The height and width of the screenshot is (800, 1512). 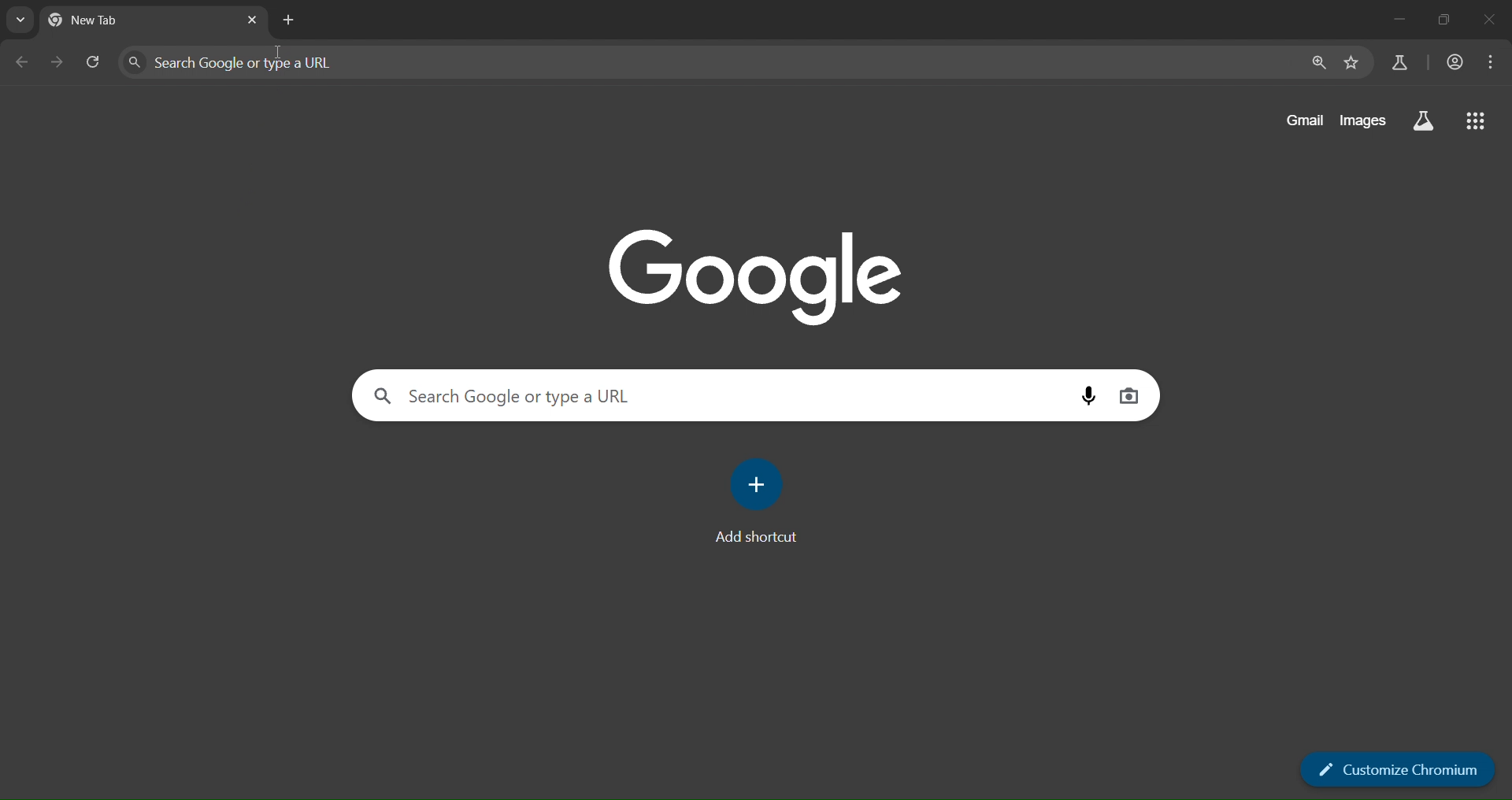 What do you see at coordinates (1306, 119) in the screenshot?
I see `gmail` at bounding box center [1306, 119].